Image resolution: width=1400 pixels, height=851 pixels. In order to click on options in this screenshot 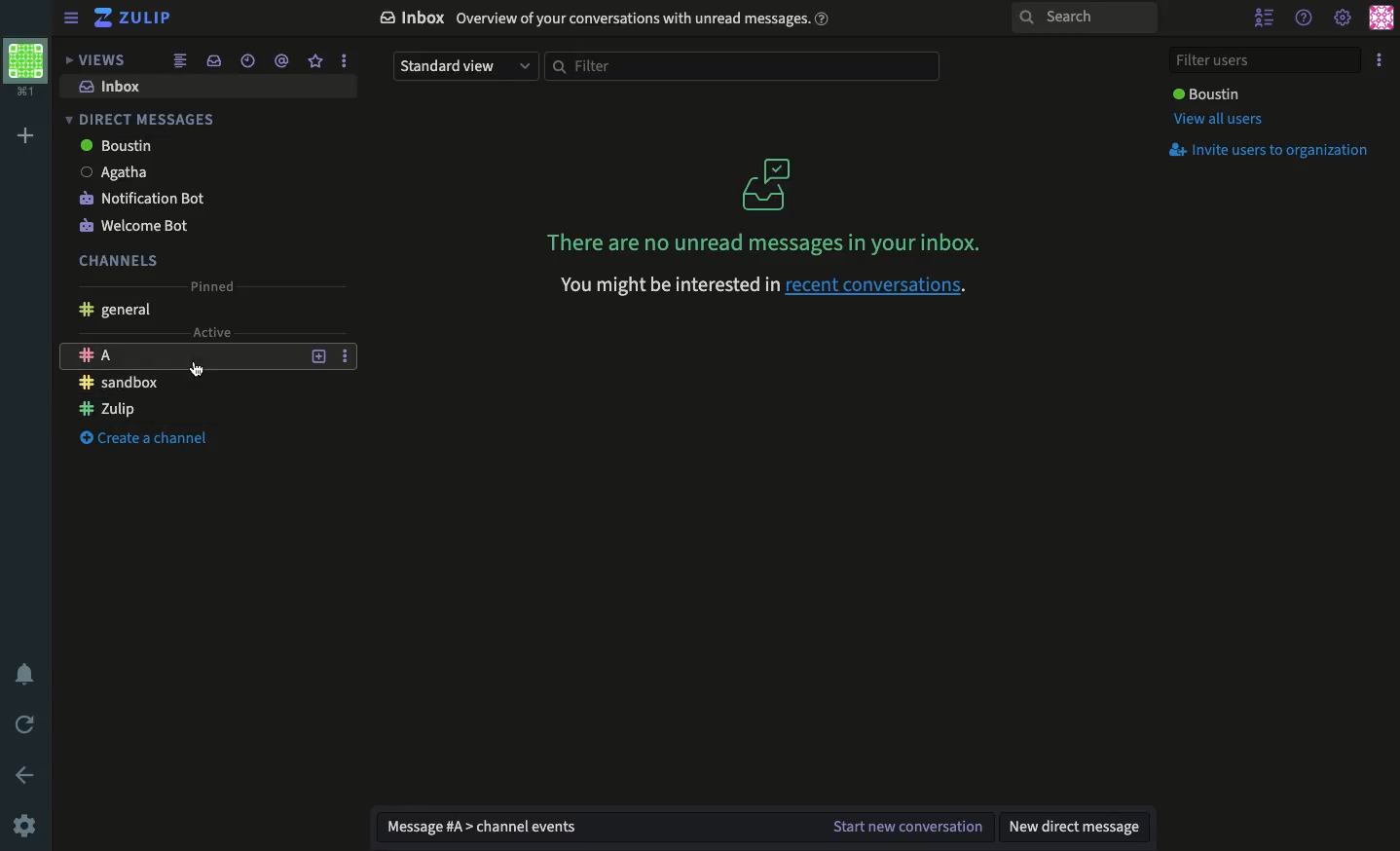, I will do `click(344, 354)`.